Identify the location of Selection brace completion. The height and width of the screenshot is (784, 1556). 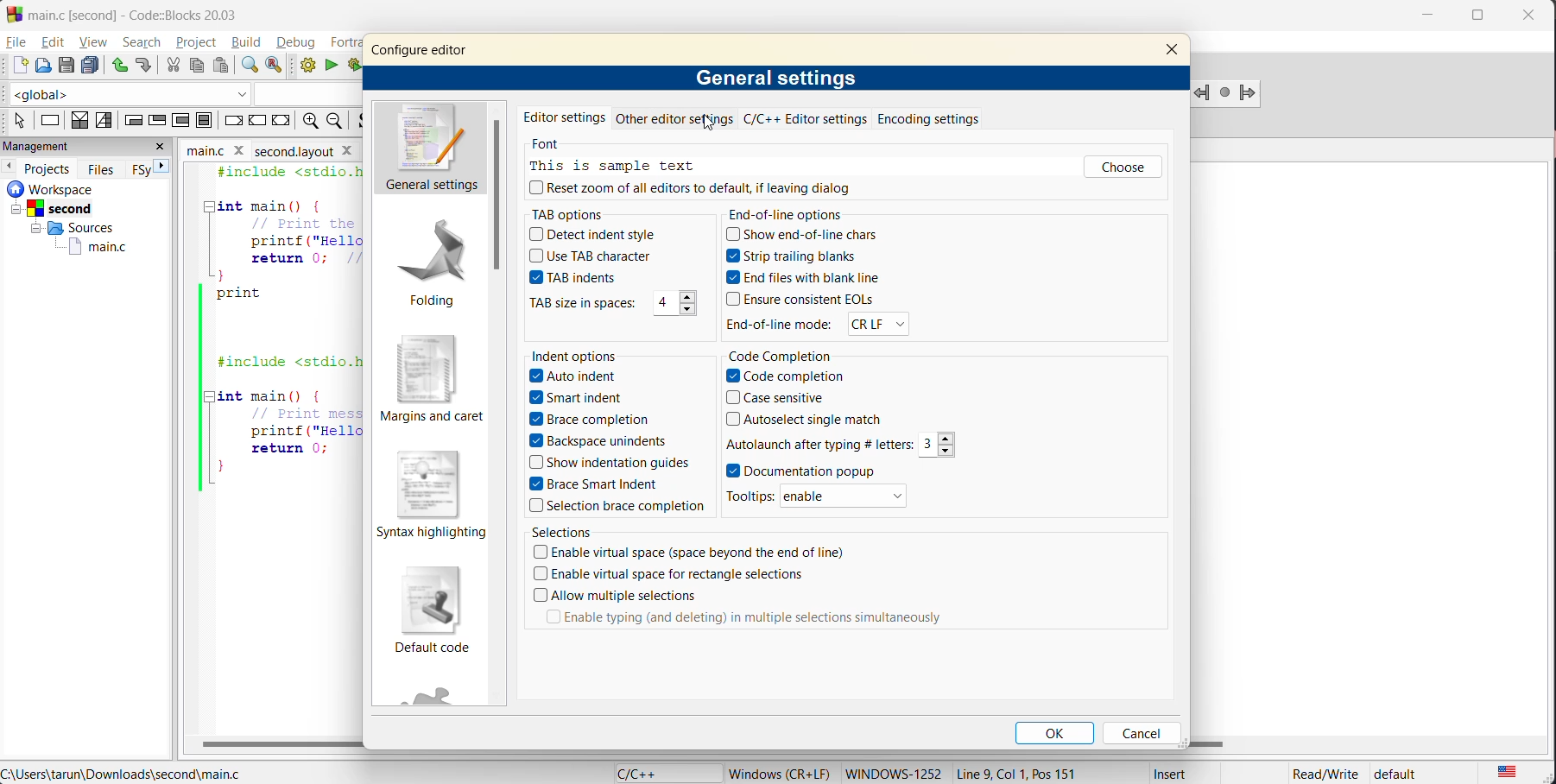
(621, 506).